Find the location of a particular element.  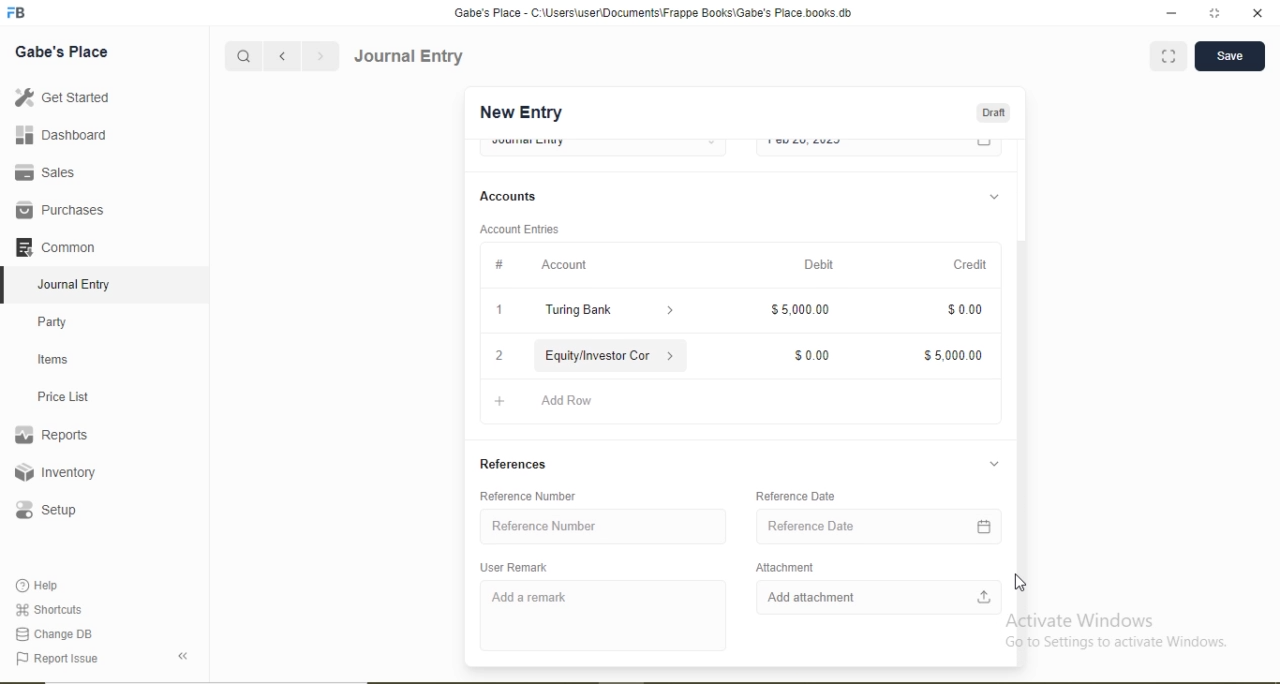

1 is located at coordinates (499, 309).